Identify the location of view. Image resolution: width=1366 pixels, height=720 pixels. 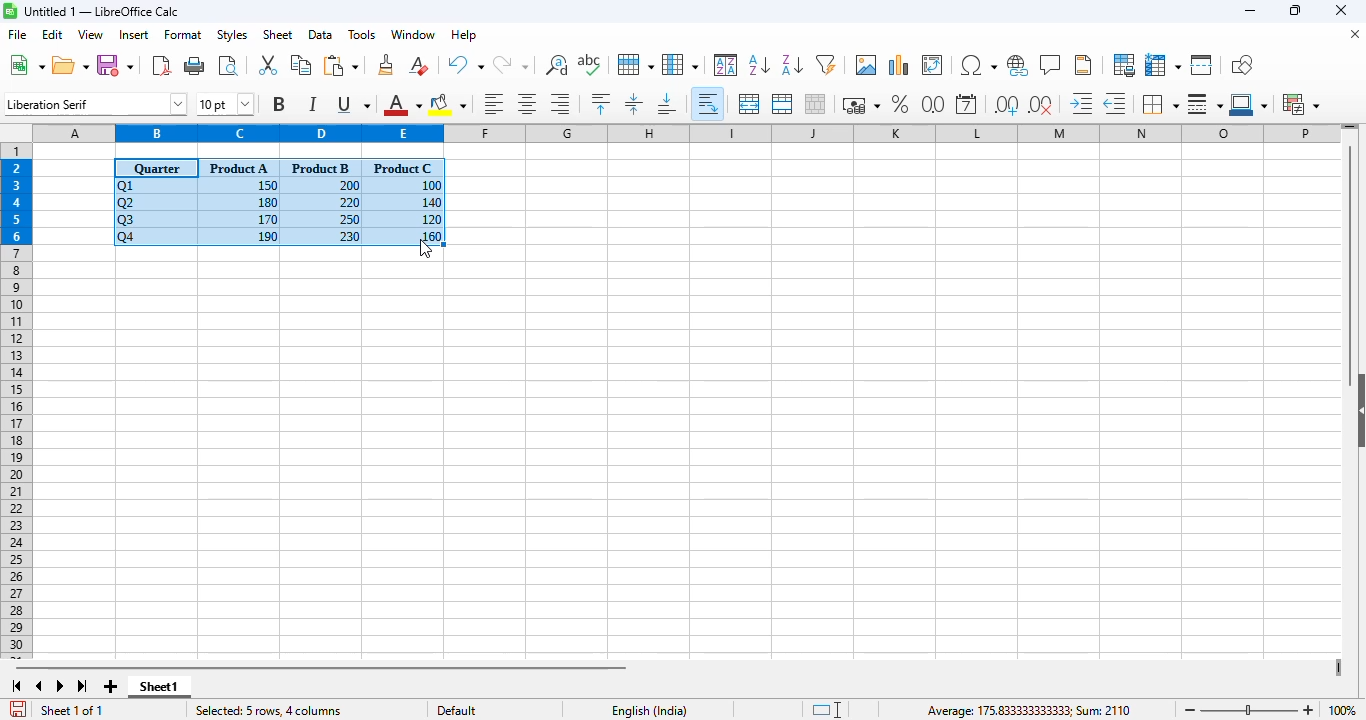
(90, 34).